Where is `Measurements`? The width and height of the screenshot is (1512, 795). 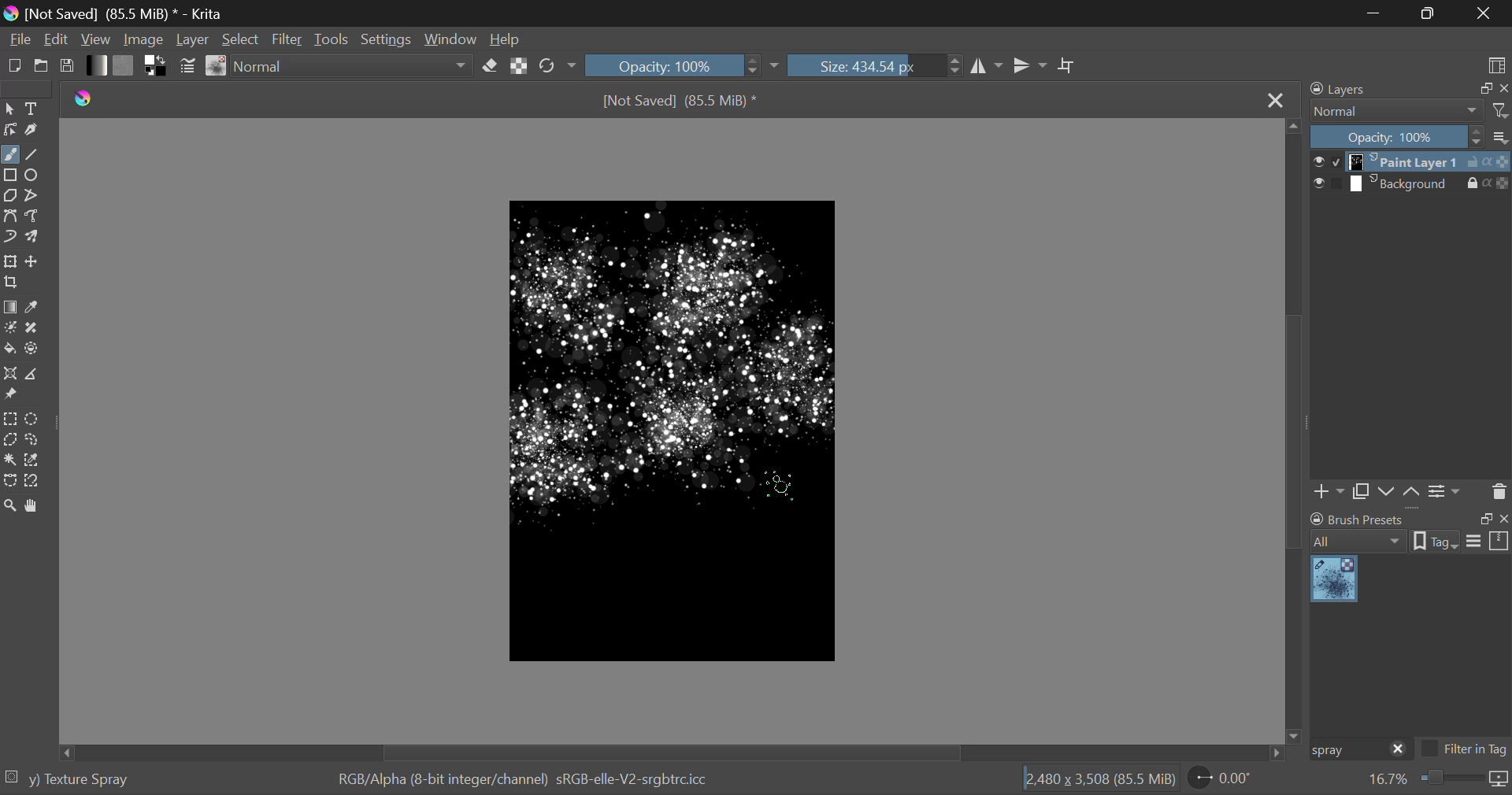
Measurements is located at coordinates (30, 375).